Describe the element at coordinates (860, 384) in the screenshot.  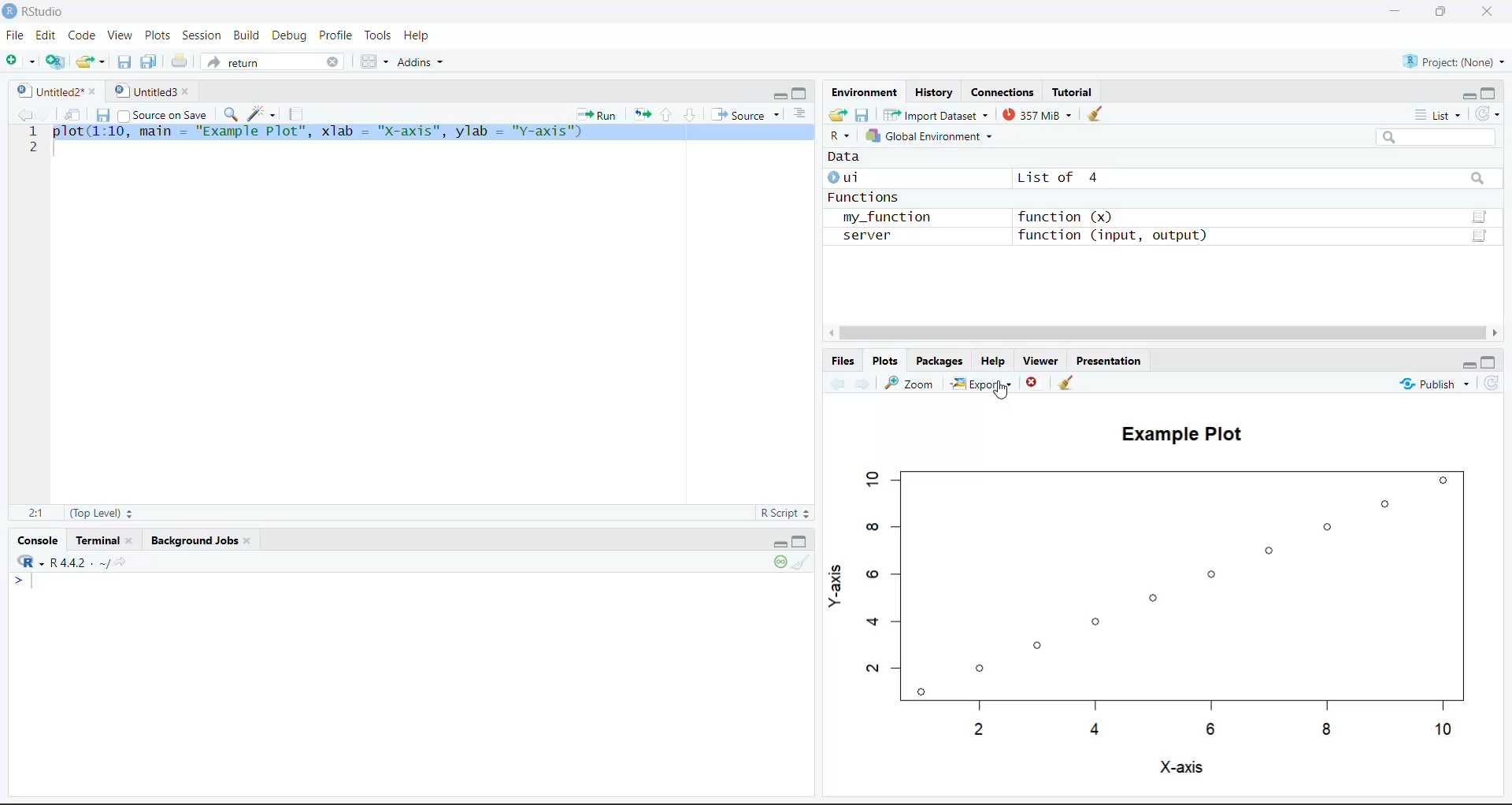
I see `Go forward to the next source location (Ctrl + F10)` at that location.